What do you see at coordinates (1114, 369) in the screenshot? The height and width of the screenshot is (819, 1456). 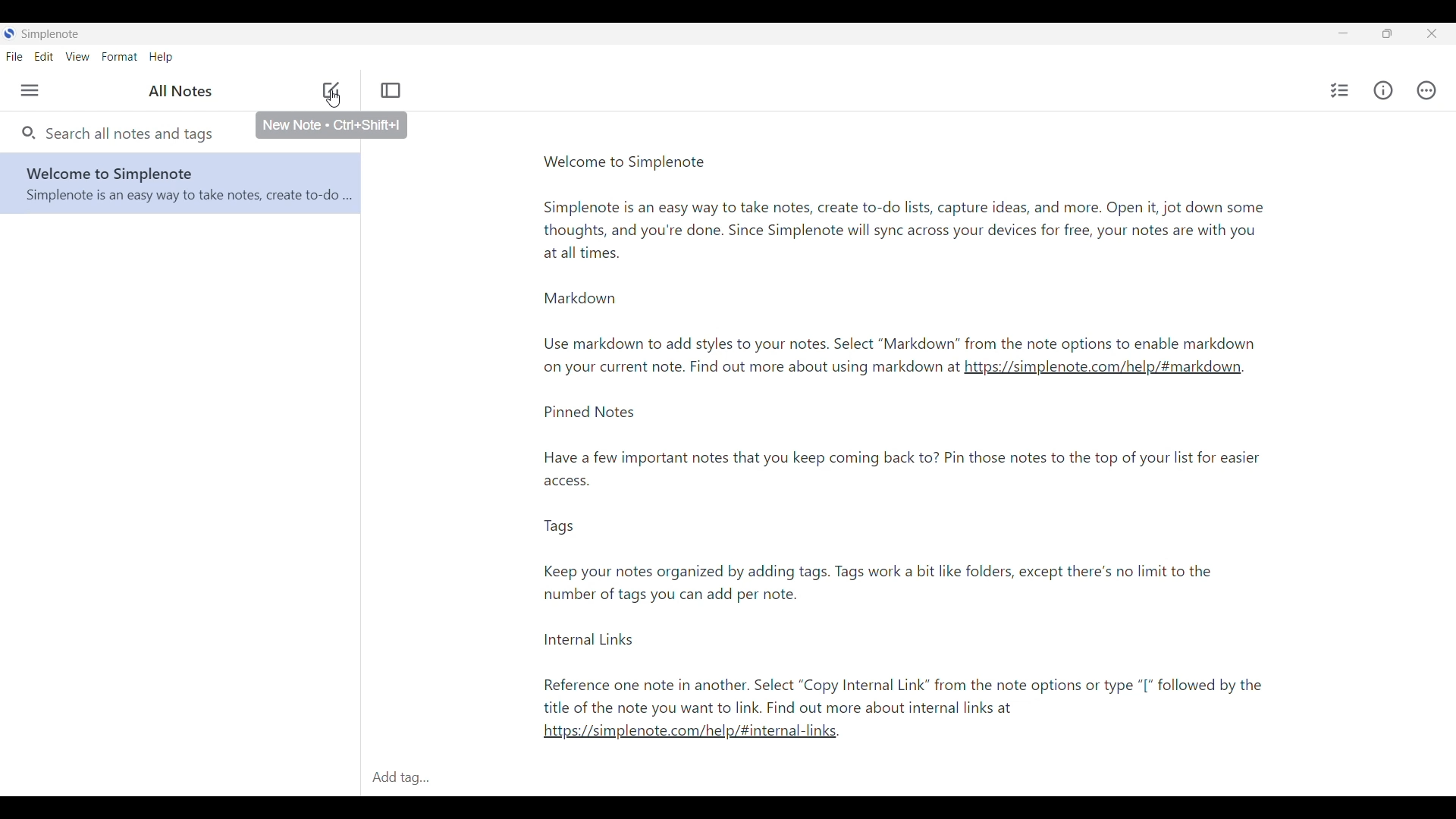 I see `Link1` at bounding box center [1114, 369].